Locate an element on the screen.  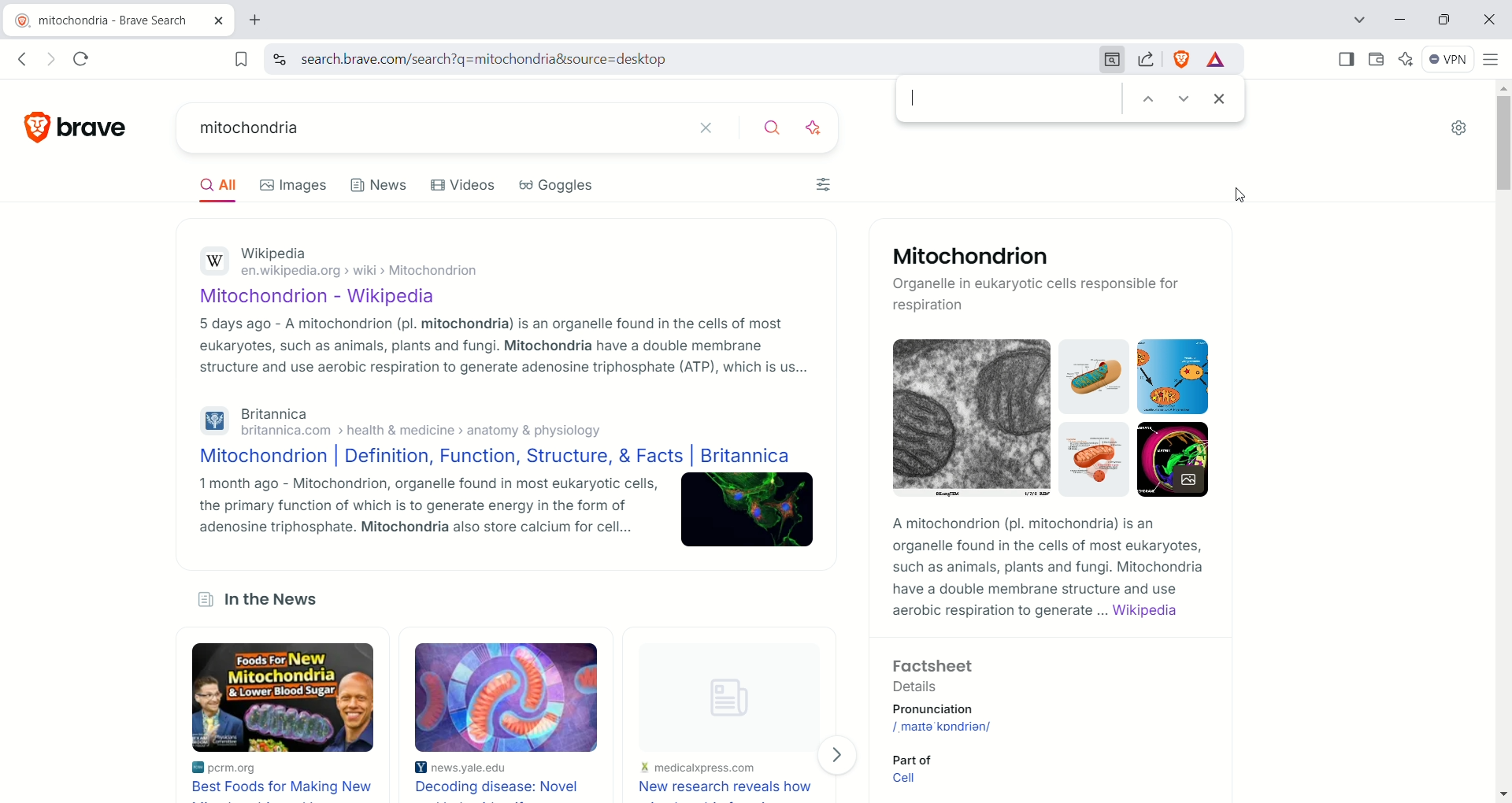
Decoding disease: Novel is located at coordinates (502, 787).